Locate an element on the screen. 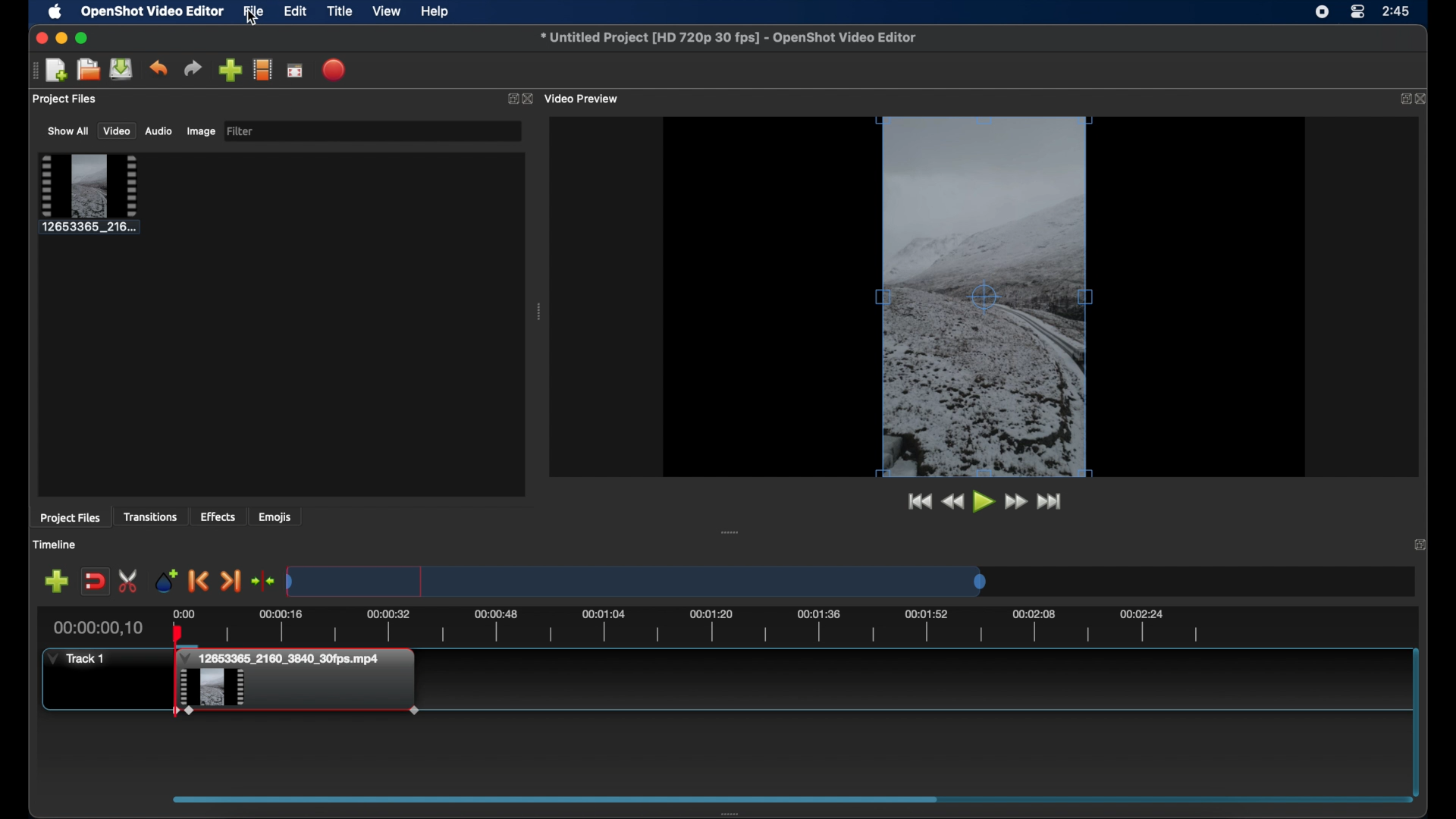 This screenshot has height=819, width=1456. clip is located at coordinates (297, 694).